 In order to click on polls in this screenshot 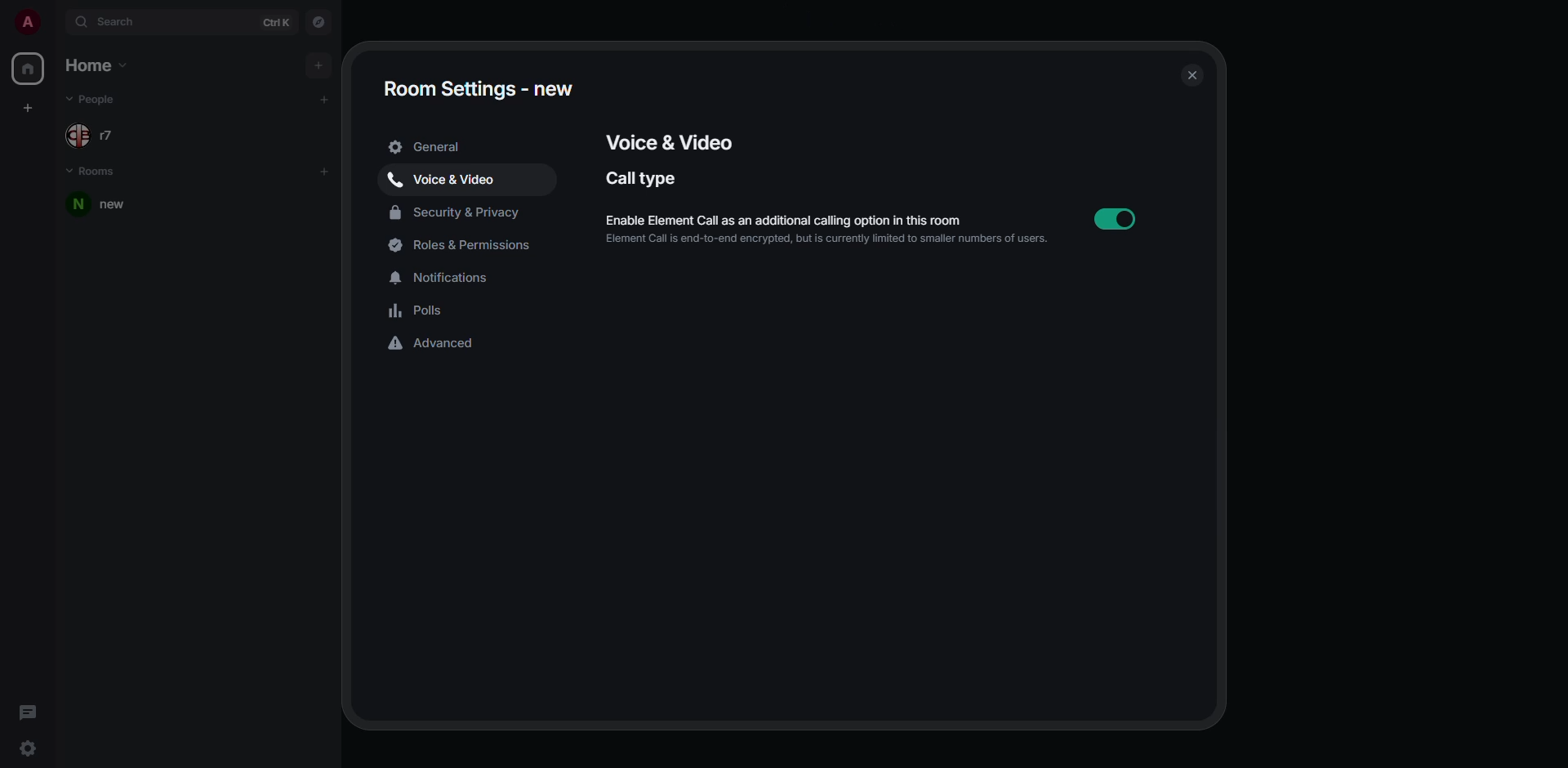, I will do `click(420, 310)`.